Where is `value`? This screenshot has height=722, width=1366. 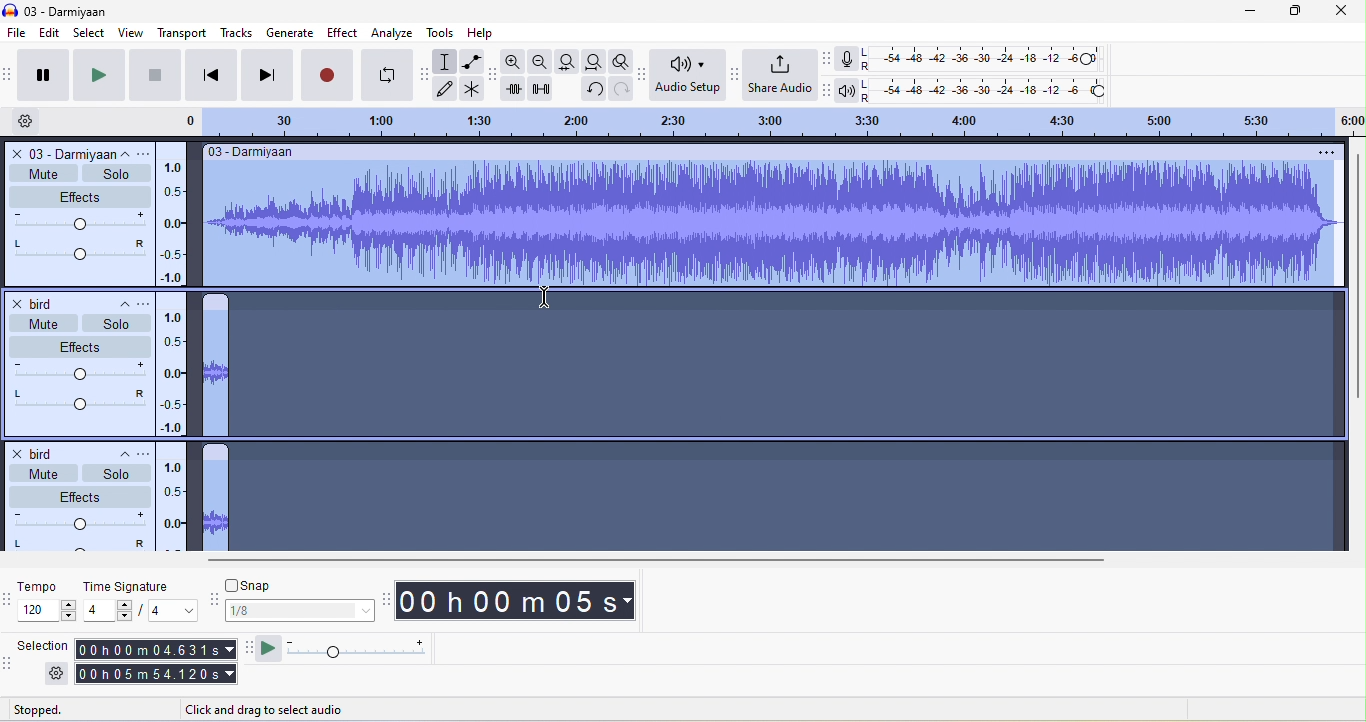 value is located at coordinates (106, 612).